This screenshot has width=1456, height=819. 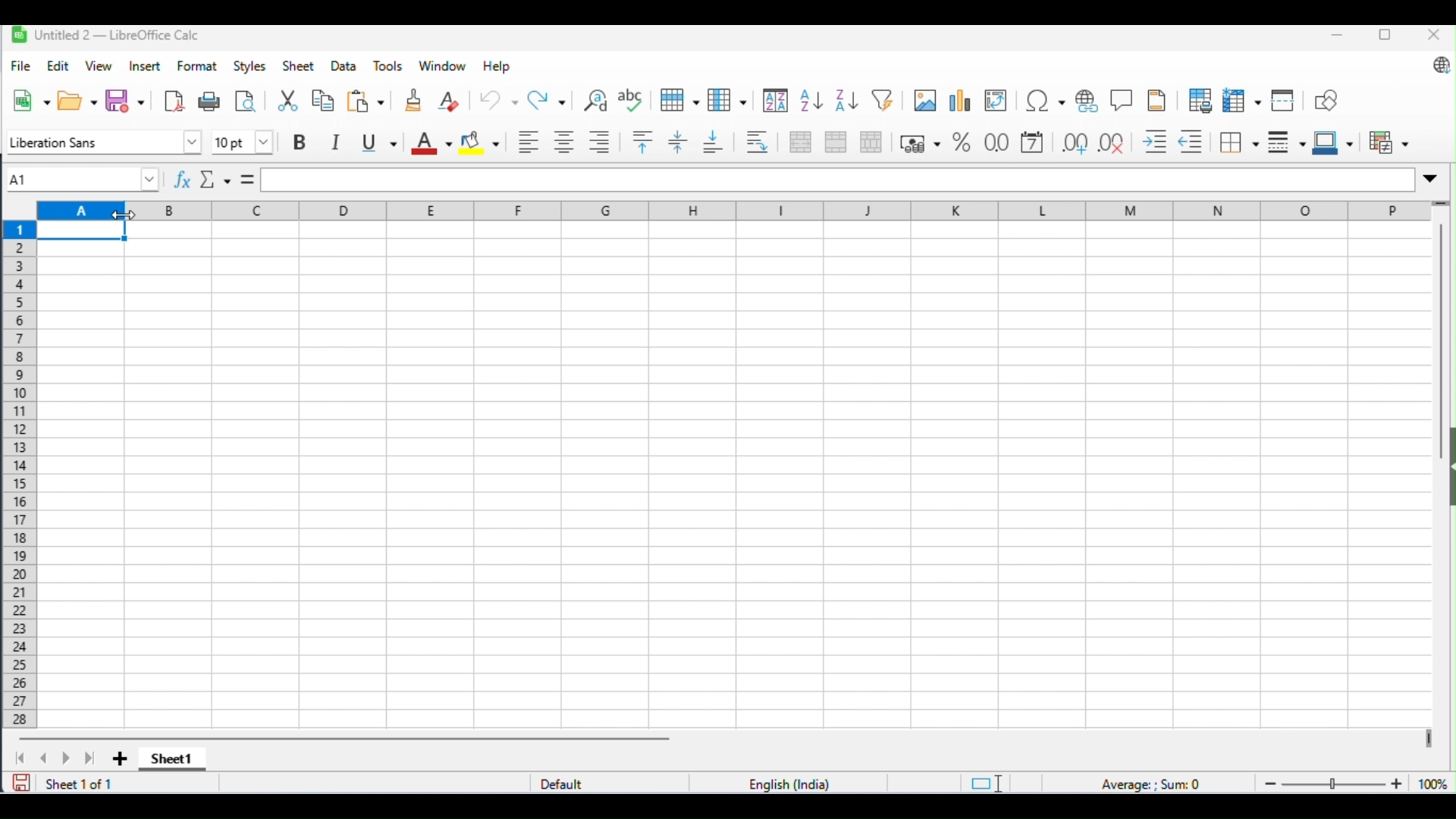 I want to click on styles, so click(x=249, y=67).